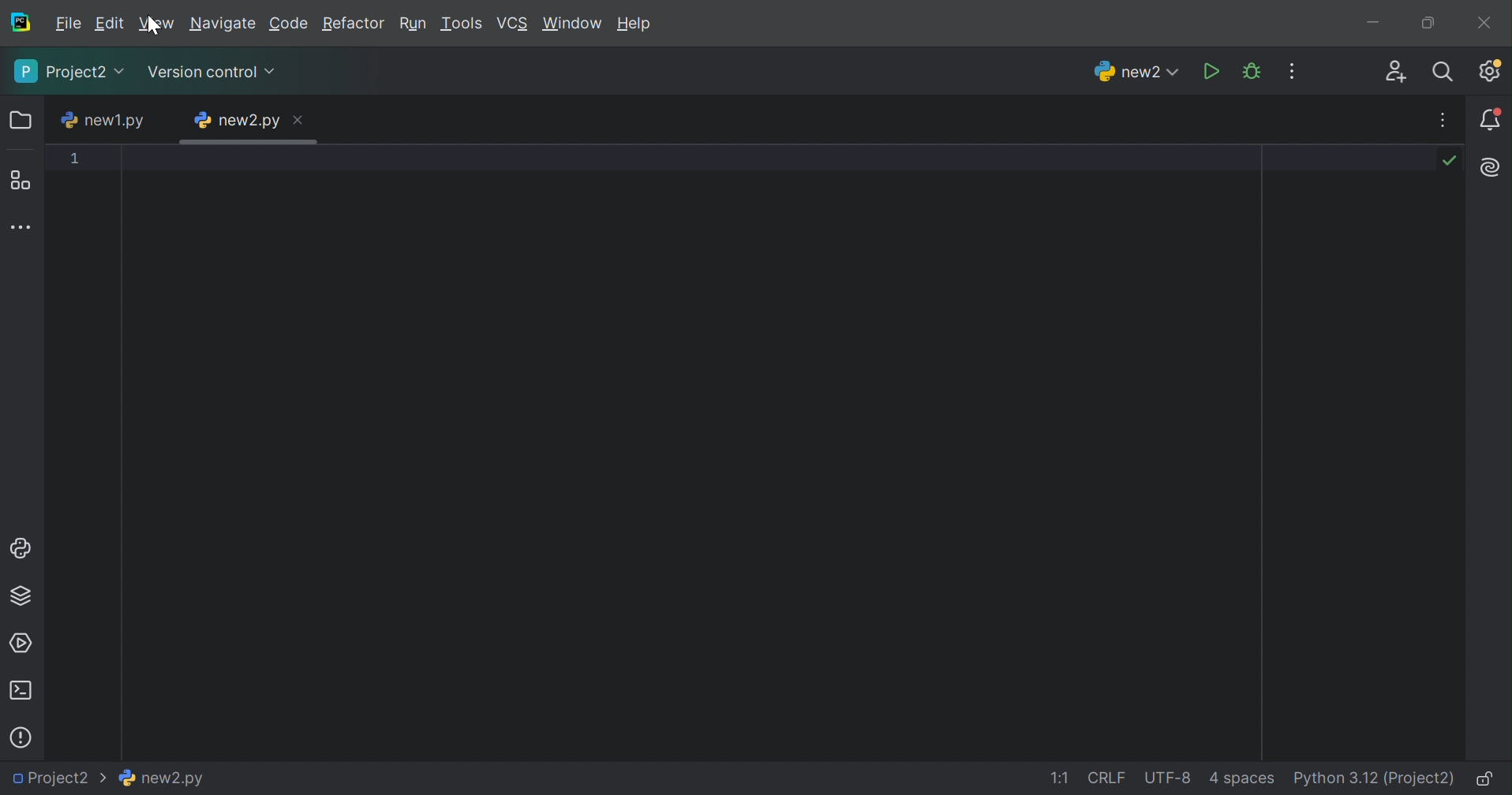 The image size is (1512, 795). I want to click on Updates available. IDE and Project Settings, so click(1491, 70).